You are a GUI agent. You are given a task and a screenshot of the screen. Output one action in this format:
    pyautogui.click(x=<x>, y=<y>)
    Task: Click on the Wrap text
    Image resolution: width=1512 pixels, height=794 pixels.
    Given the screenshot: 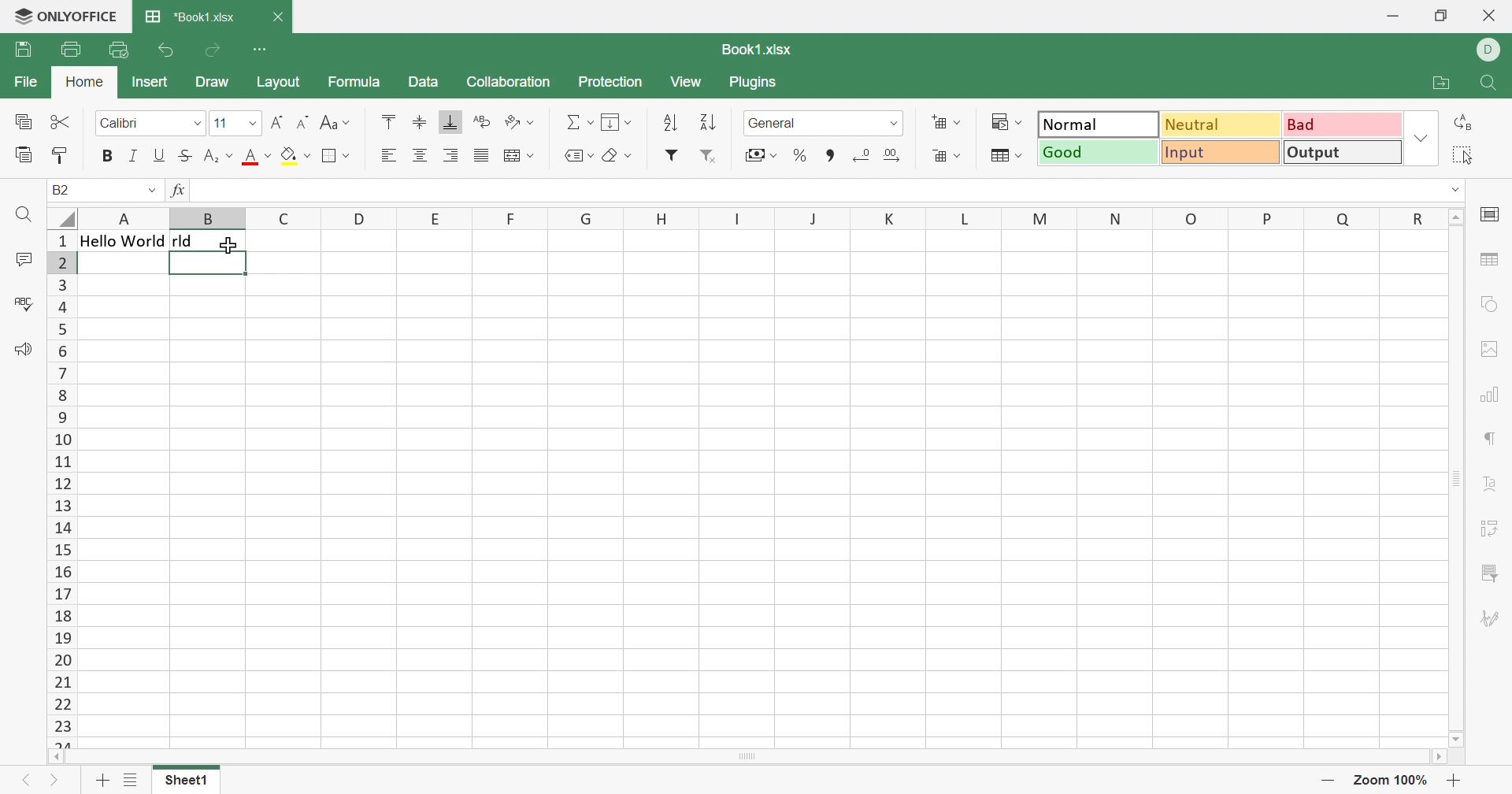 What is the action you would take?
    pyautogui.click(x=518, y=156)
    